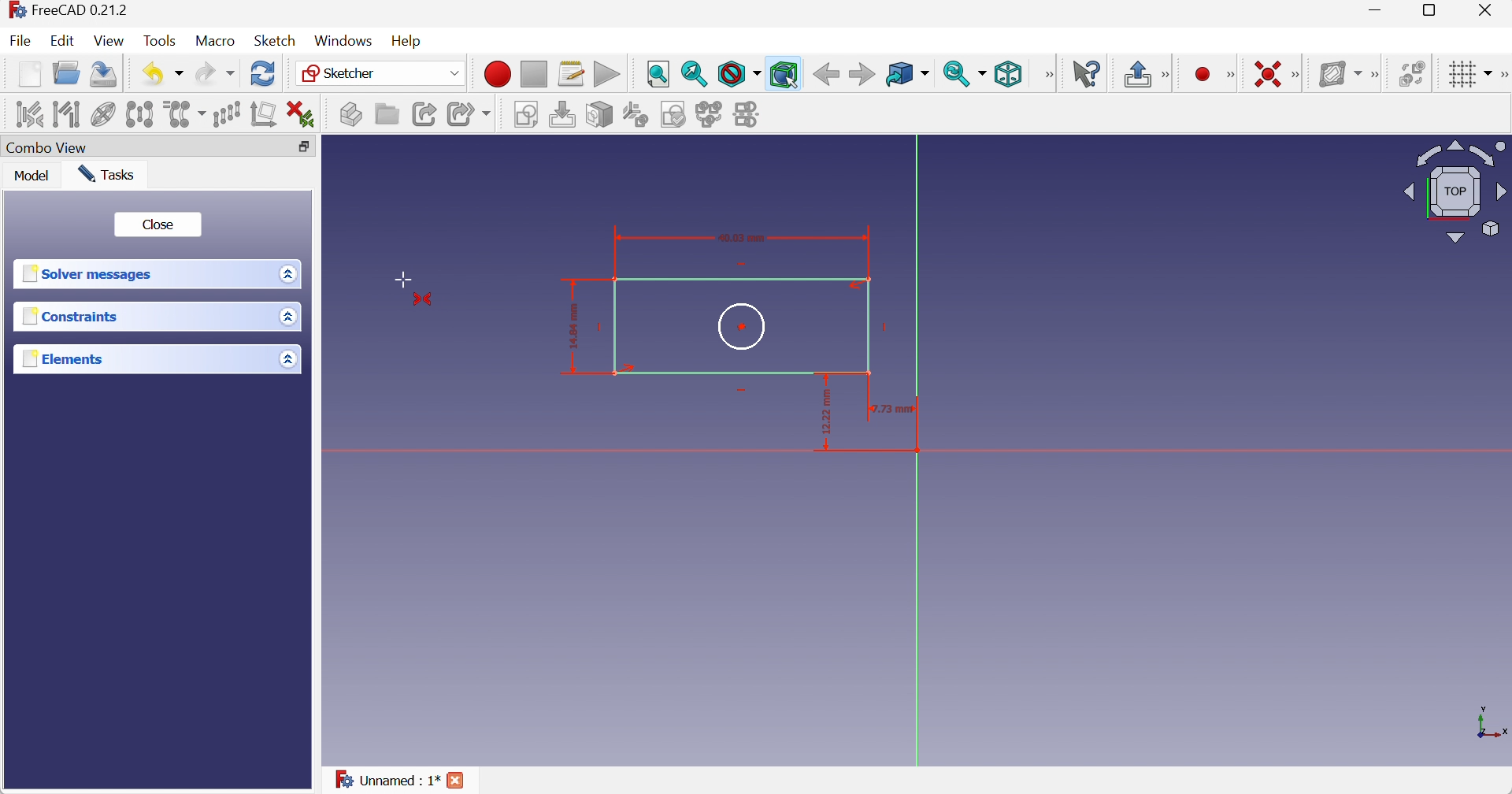 The height and width of the screenshot is (794, 1512). What do you see at coordinates (965, 74) in the screenshot?
I see `Sync view` at bounding box center [965, 74].